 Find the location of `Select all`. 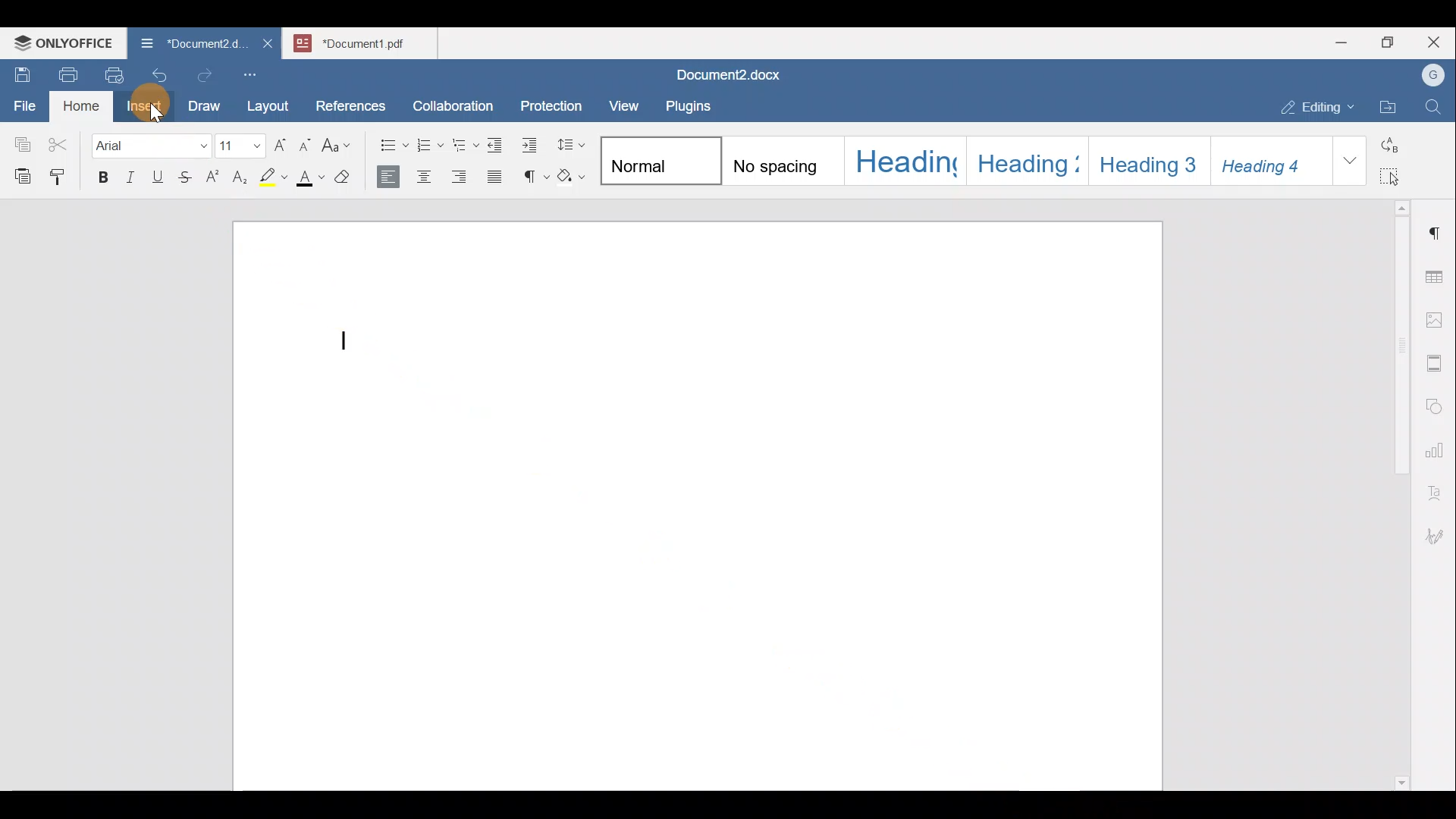

Select all is located at coordinates (1397, 173).